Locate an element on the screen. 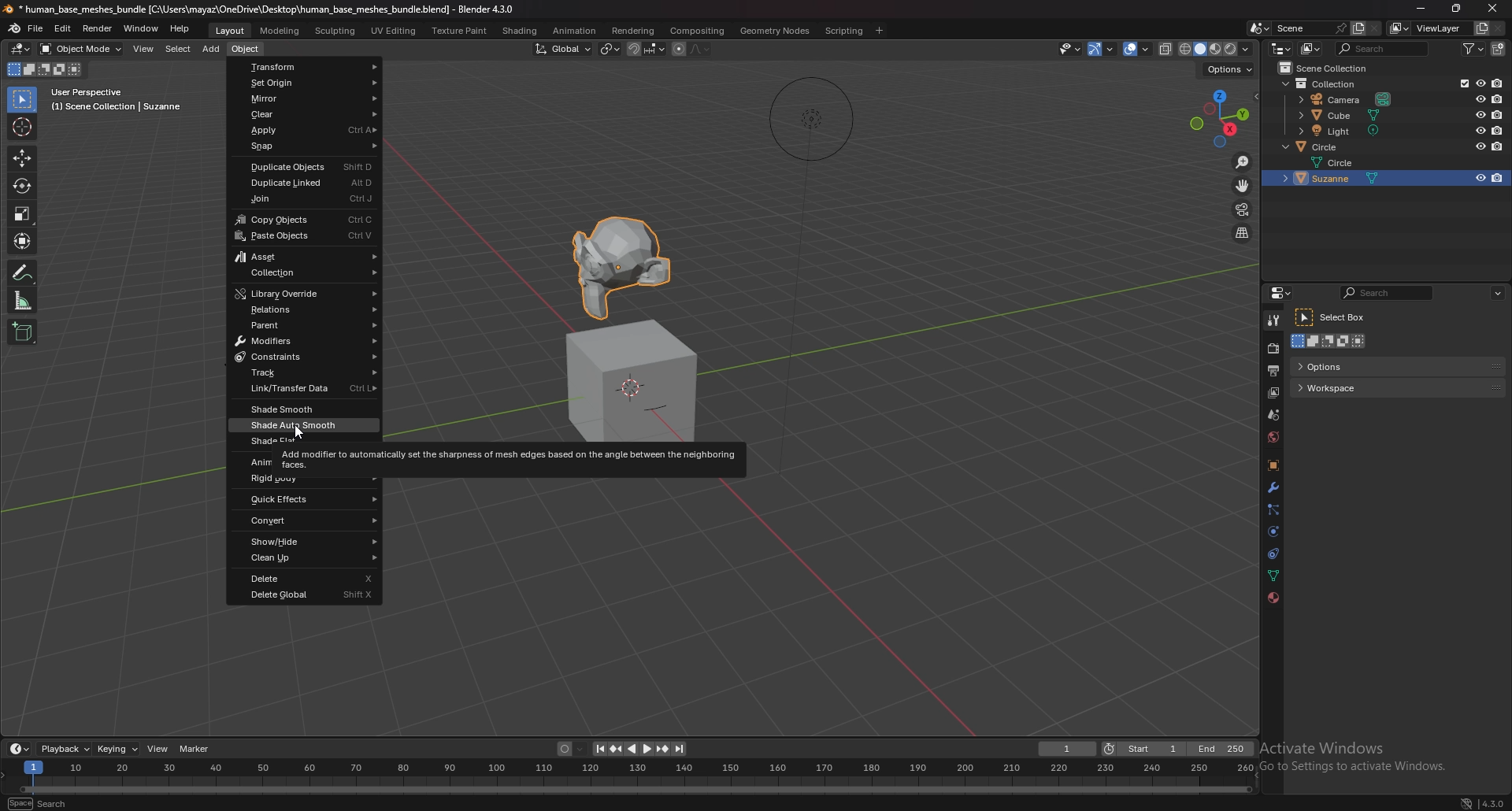 This screenshot has width=1512, height=811. layout is located at coordinates (231, 30).